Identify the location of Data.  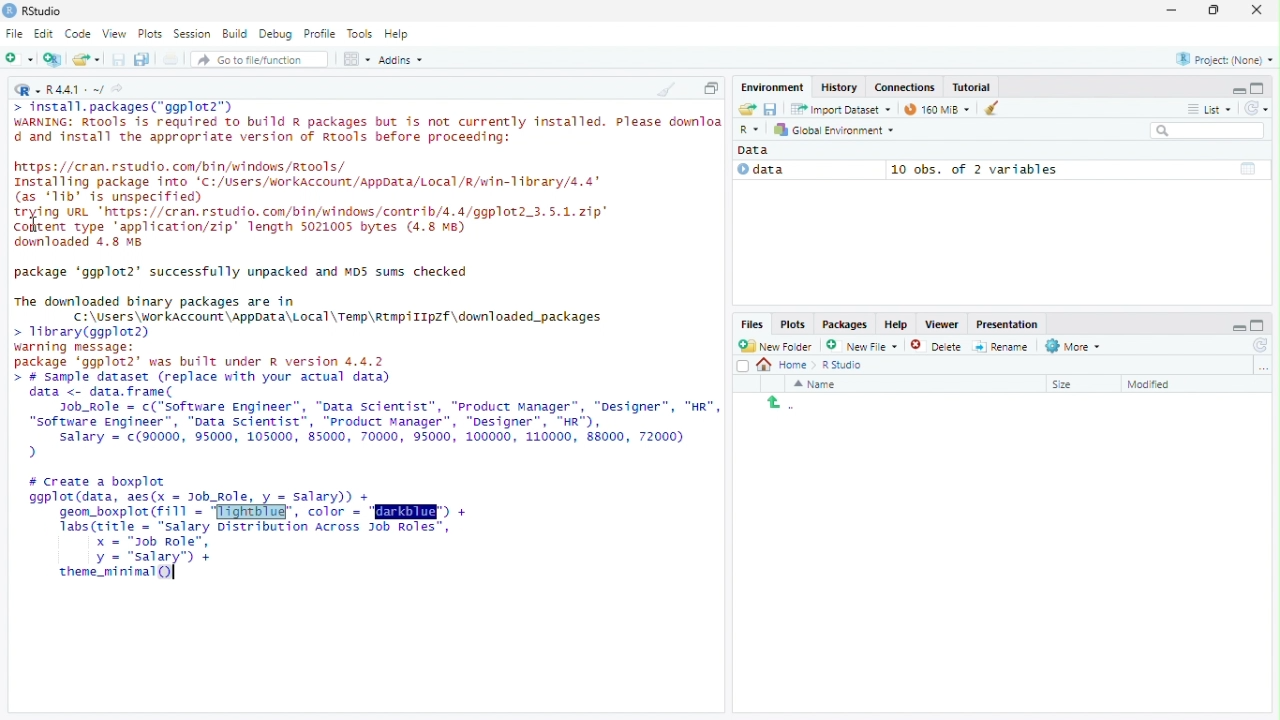
(806, 170).